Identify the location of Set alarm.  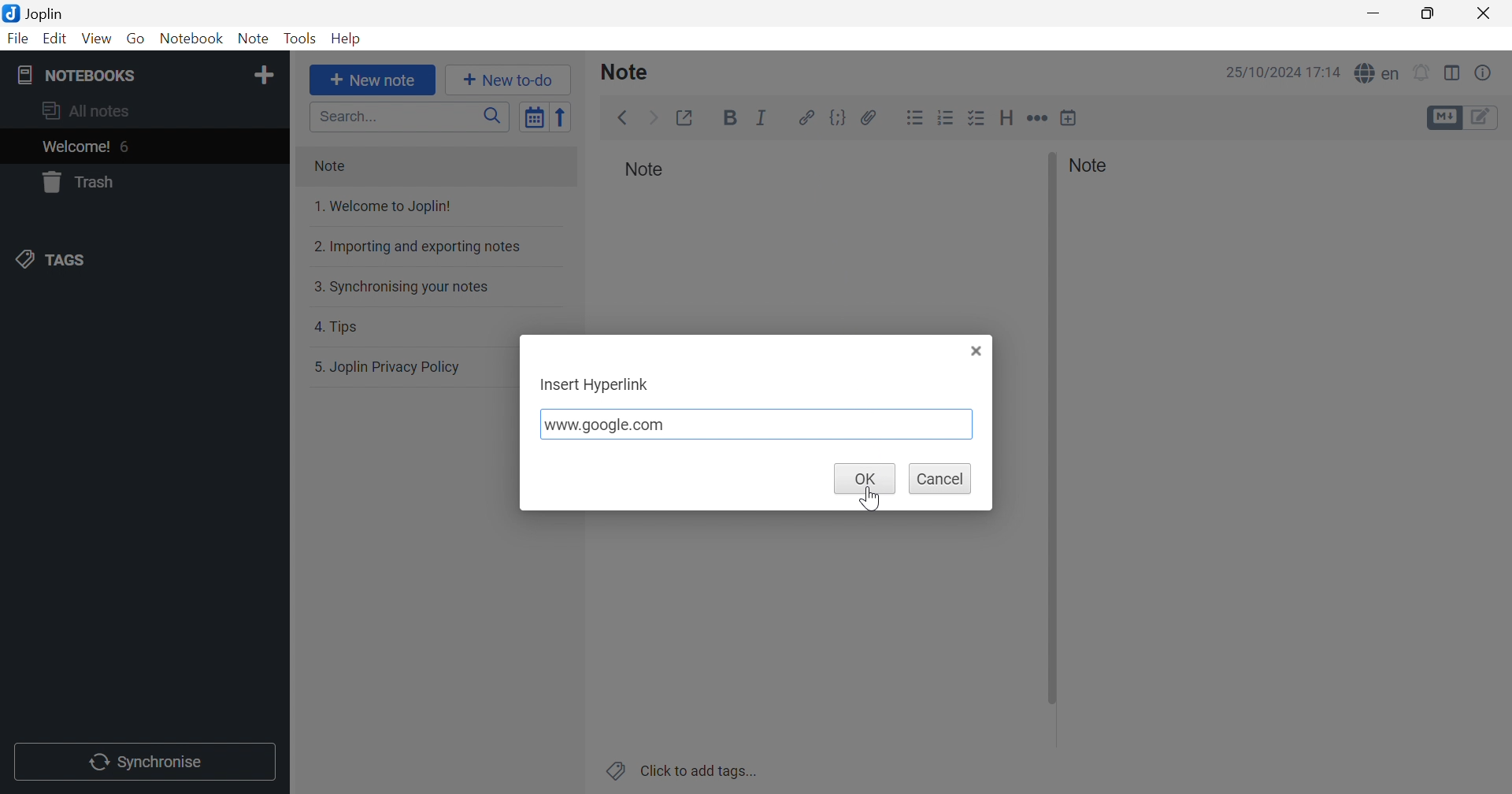
(1423, 71).